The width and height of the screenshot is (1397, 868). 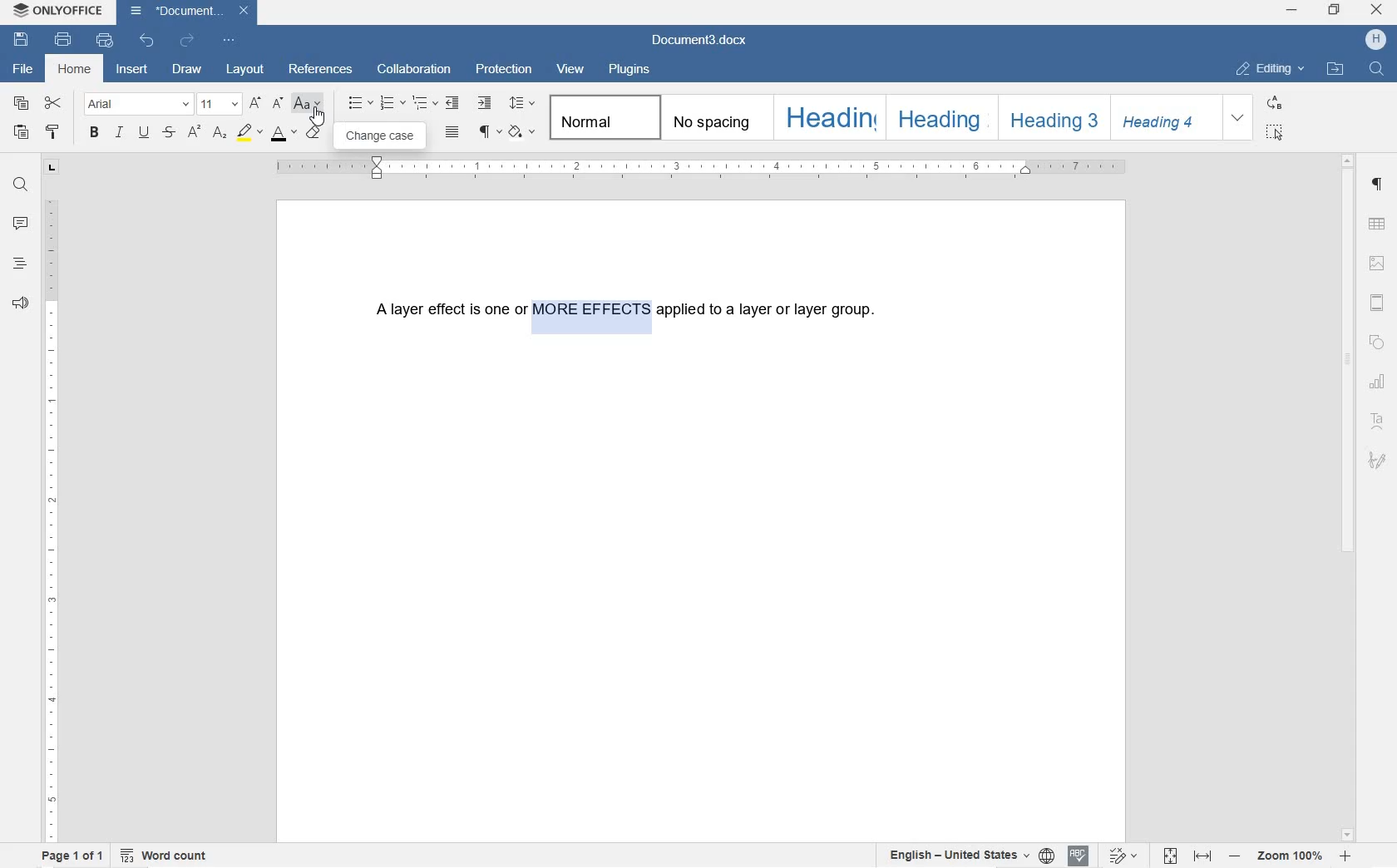 What do you see at coordinates (1165, 118) in the screenshot?
I see `HEADING 4` at bounding box center [1165, 118].